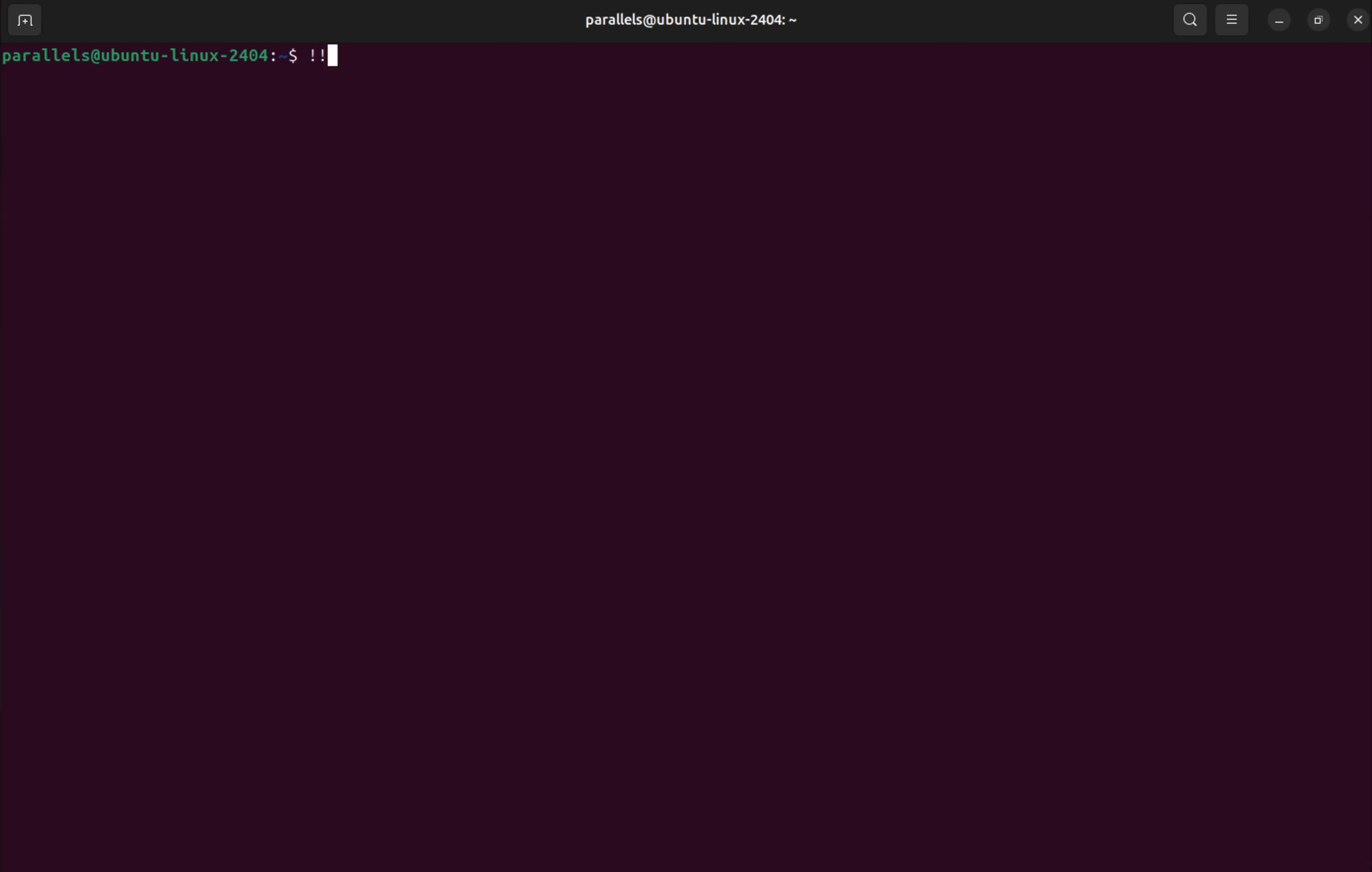  What do you see at coordinates (326, 57) in the screenshot?
I see `!!` at bounding box center [326, 57].